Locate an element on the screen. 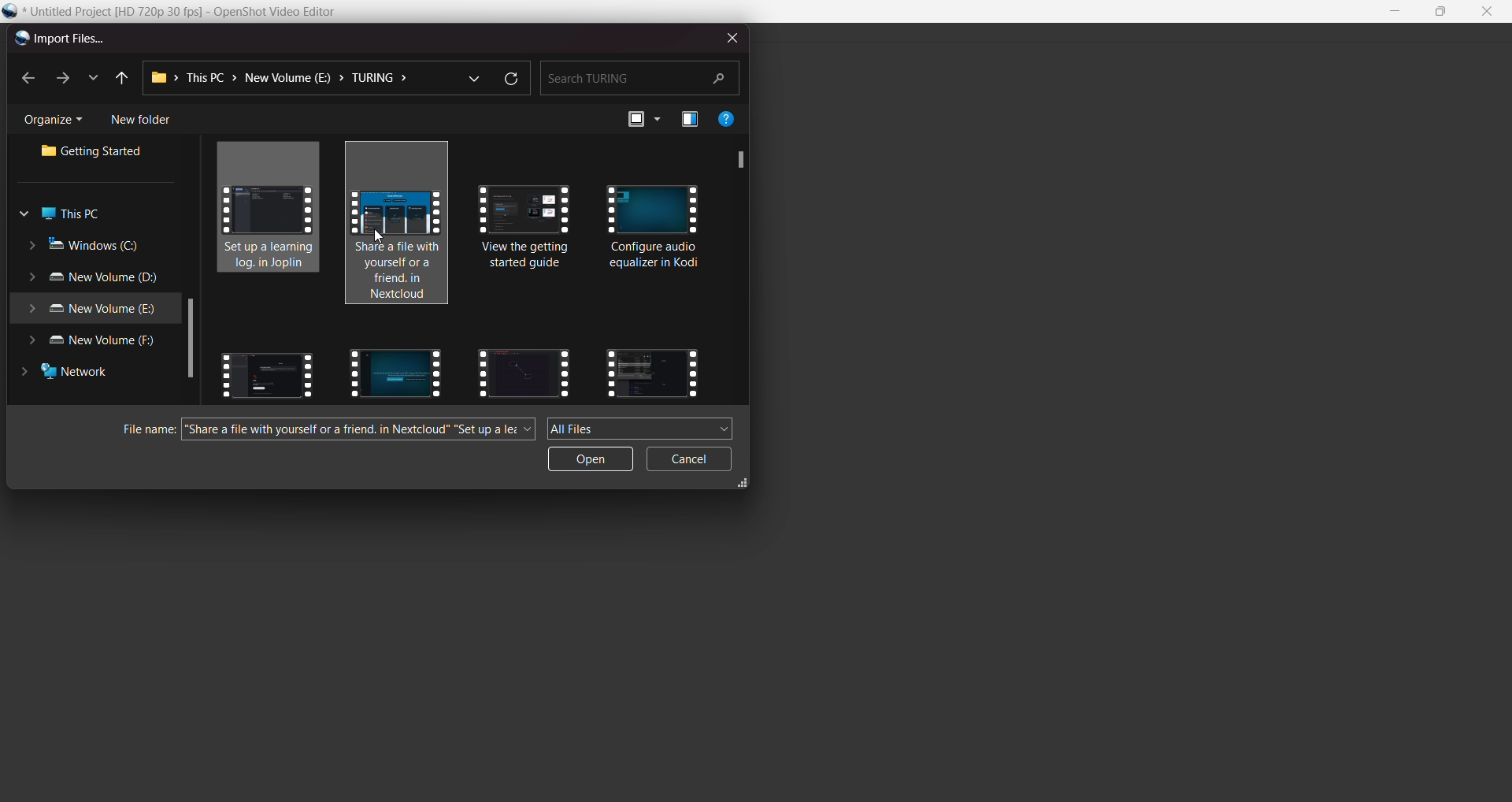  preview is located at coordinates (690, 121).